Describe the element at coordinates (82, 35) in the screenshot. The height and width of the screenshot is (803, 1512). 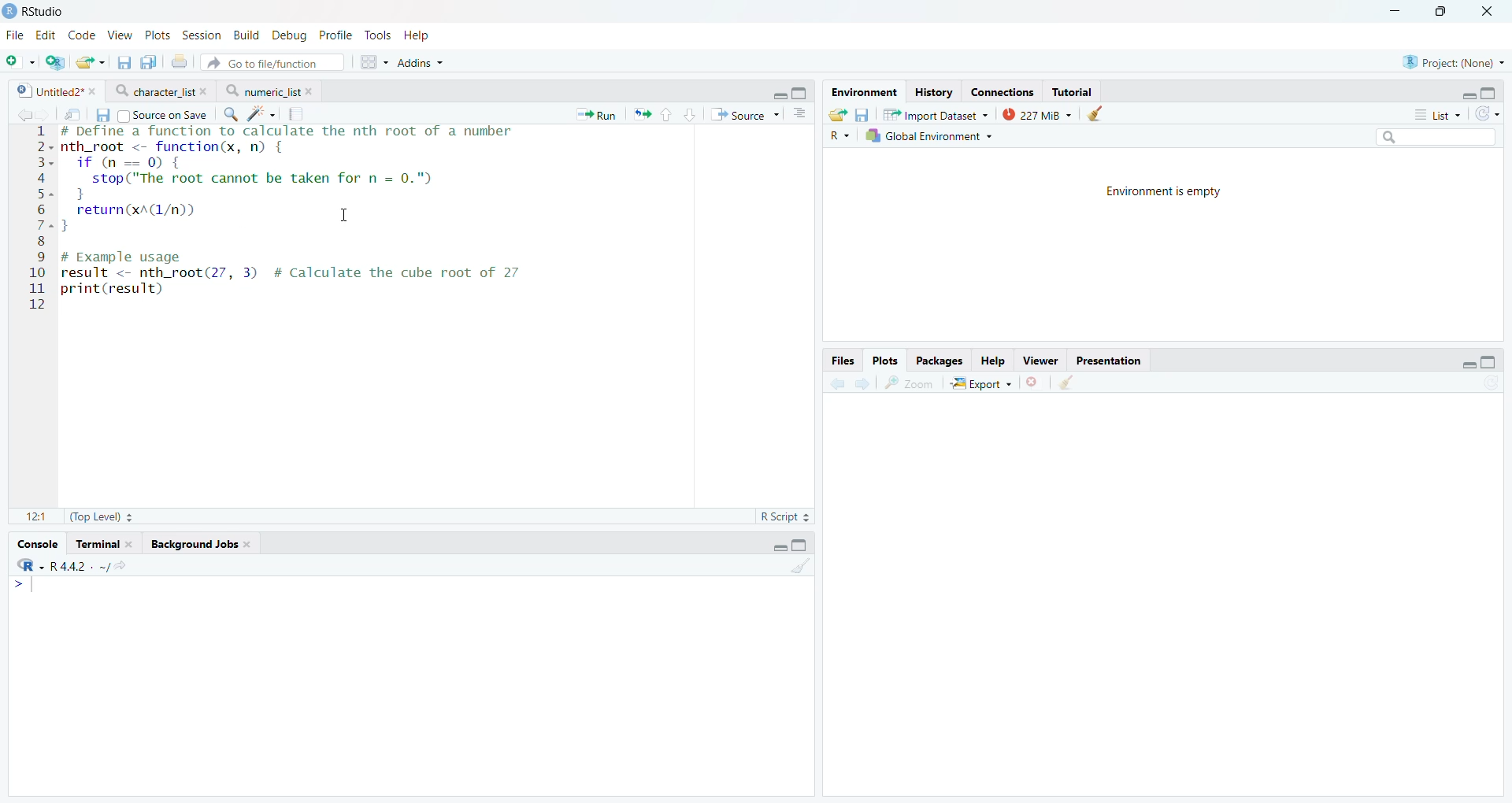
I see `Code` at that location.